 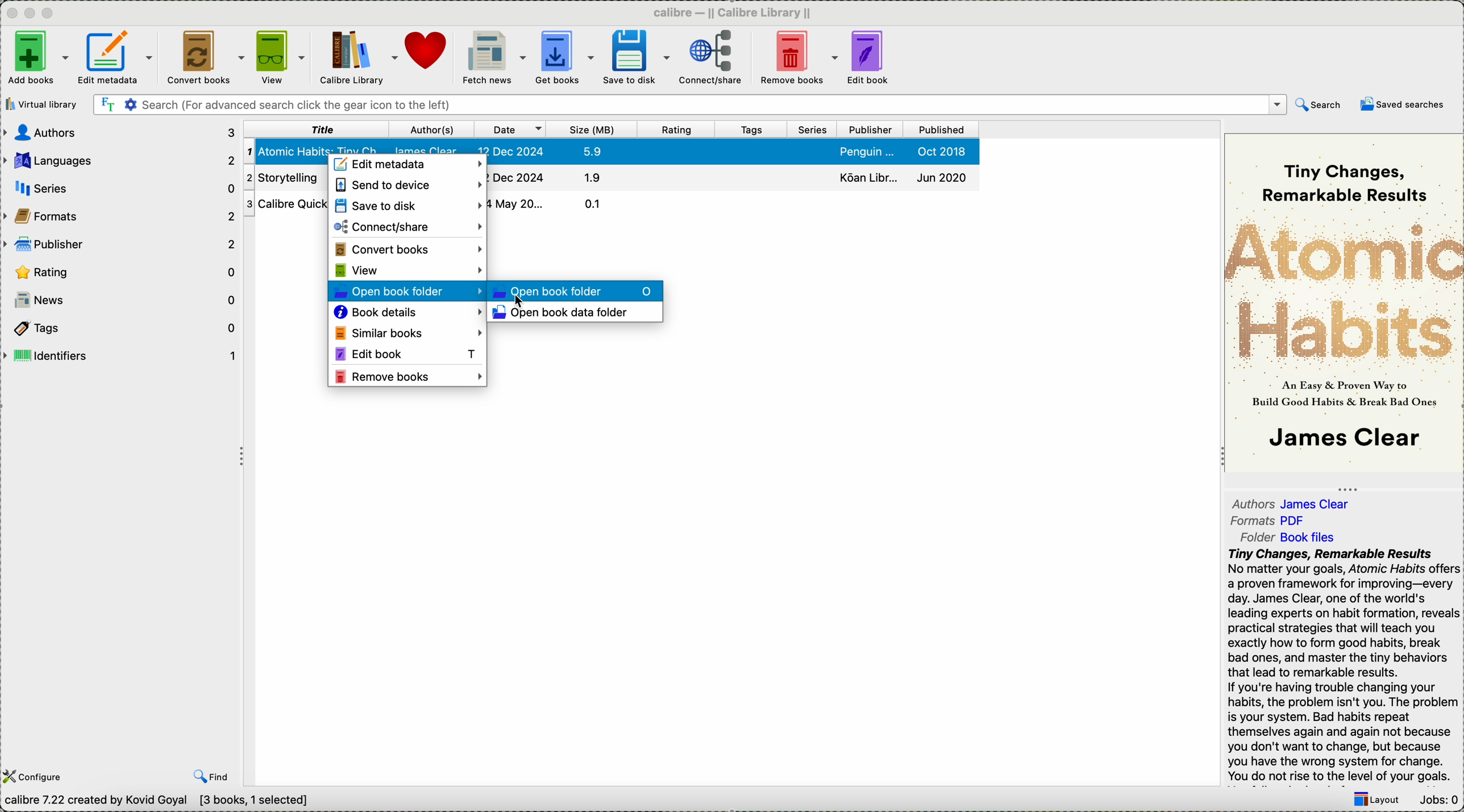 I want to click on get books, so click(x=564, y=59).